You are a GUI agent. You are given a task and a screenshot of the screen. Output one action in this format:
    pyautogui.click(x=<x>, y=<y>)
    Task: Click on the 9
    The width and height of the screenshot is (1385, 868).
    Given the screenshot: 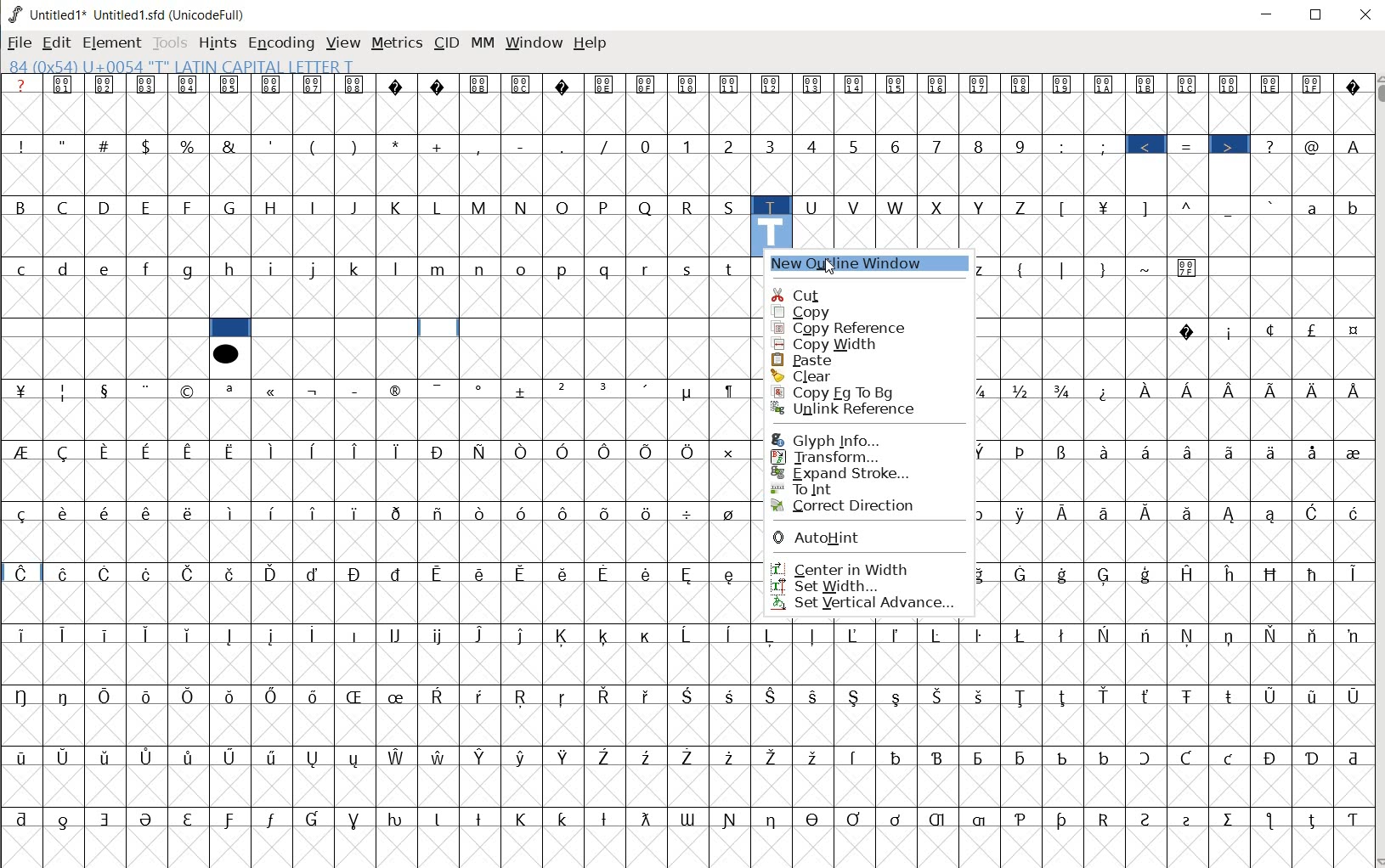 What is the action you would take?
    pyautogui.click(x=1020, y=146)
    